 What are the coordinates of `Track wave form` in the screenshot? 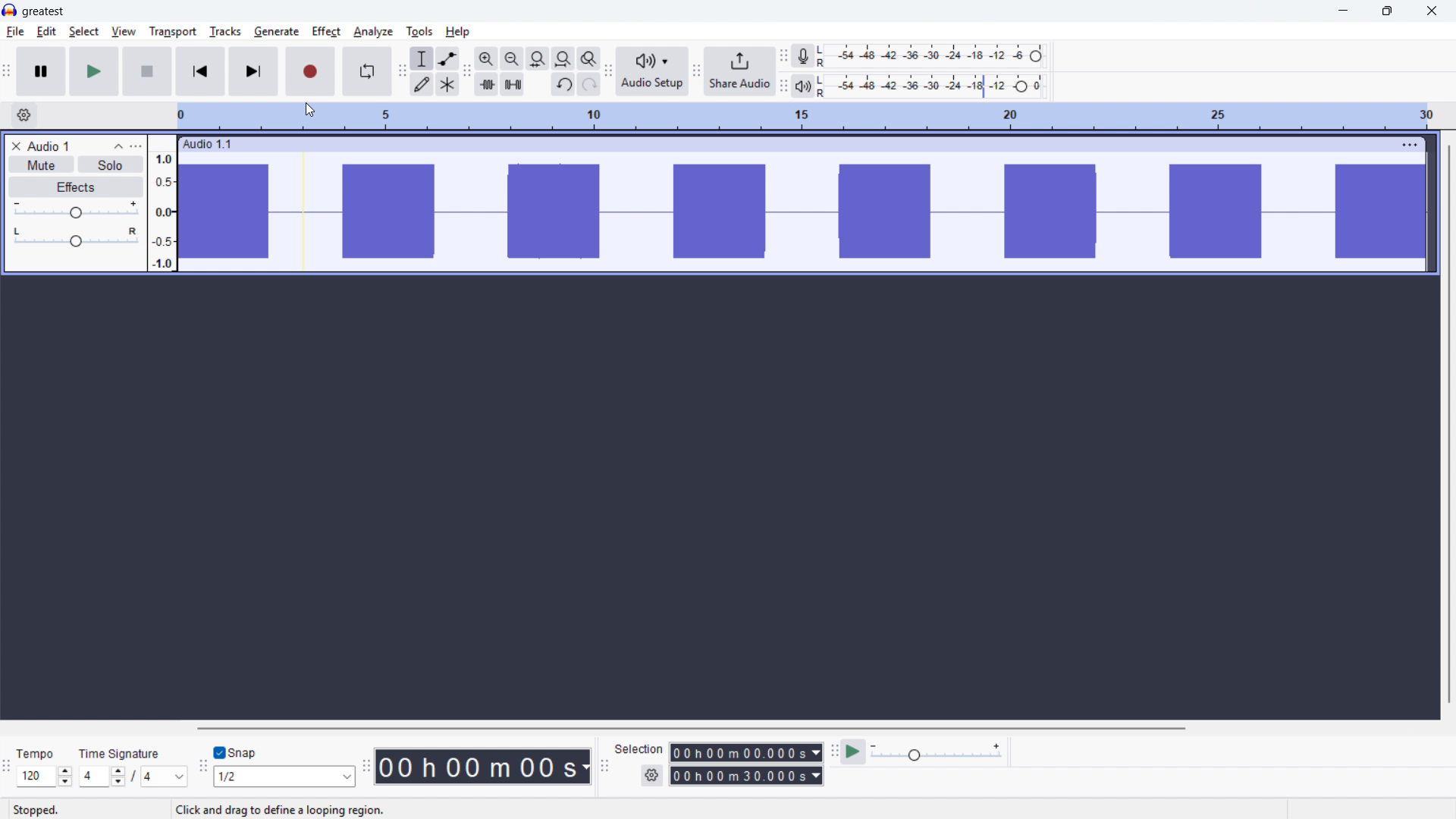 It's located at (804, 212).